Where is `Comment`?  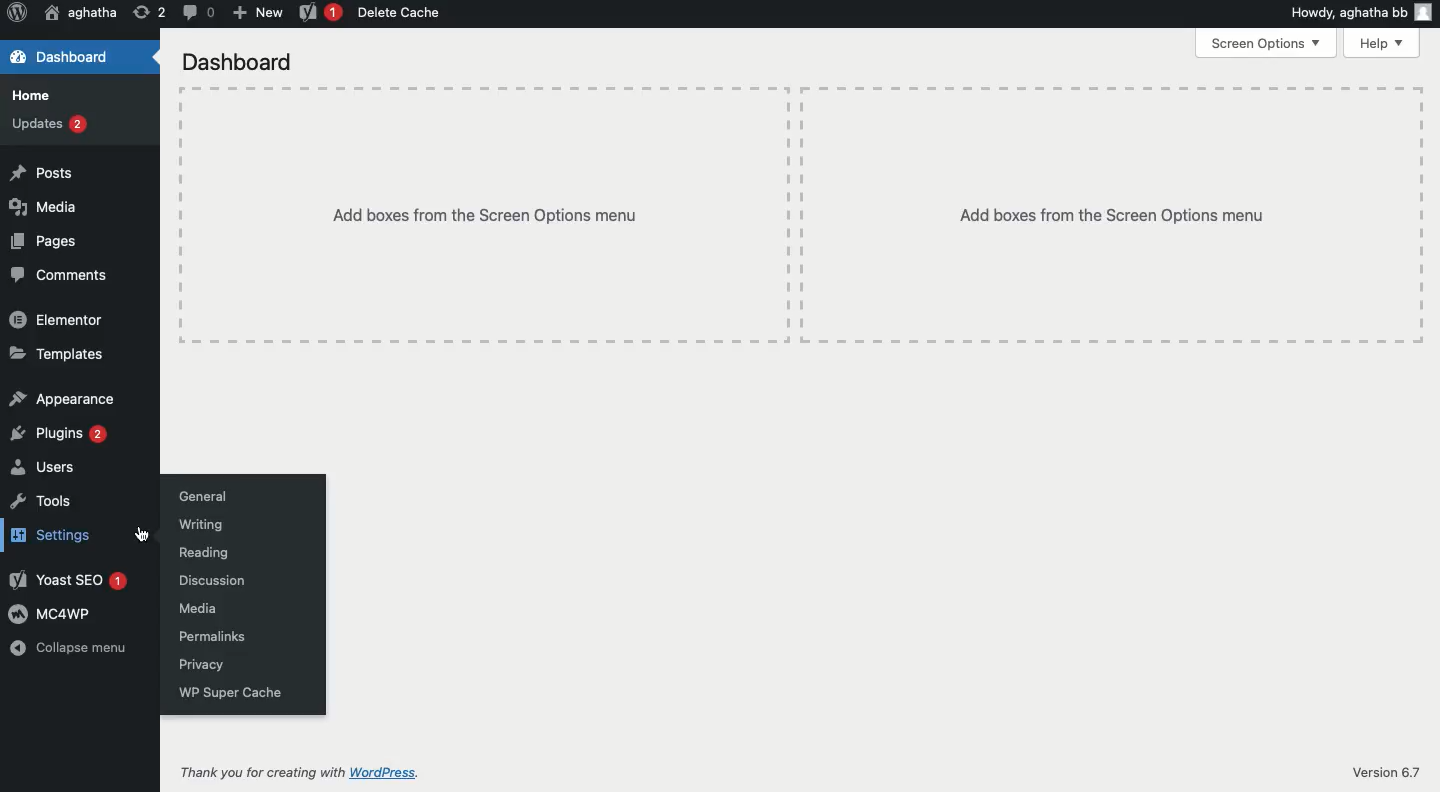
Comment is located at coordinates (195, 12).